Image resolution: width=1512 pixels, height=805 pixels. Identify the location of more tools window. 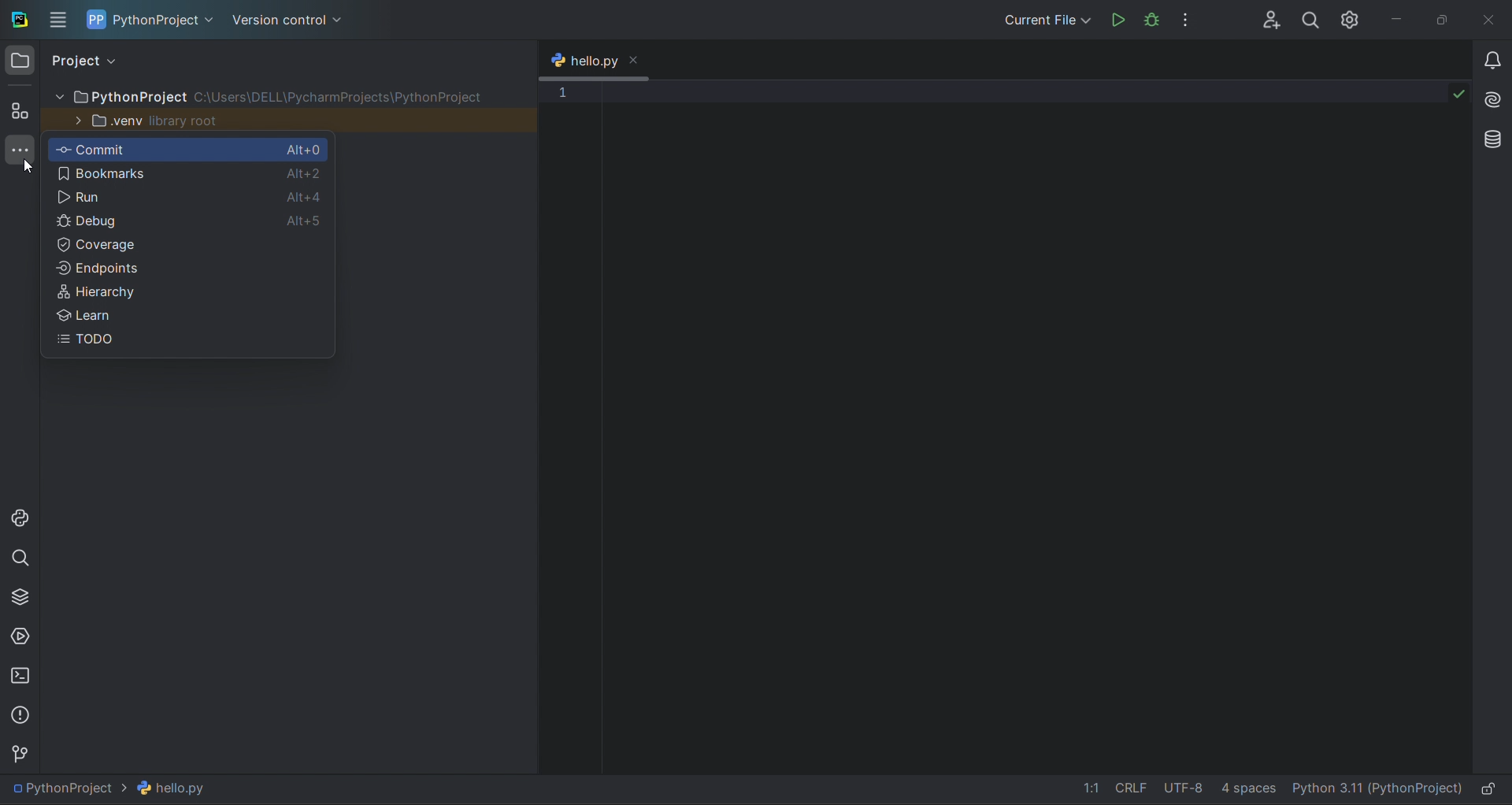
(20, 152).